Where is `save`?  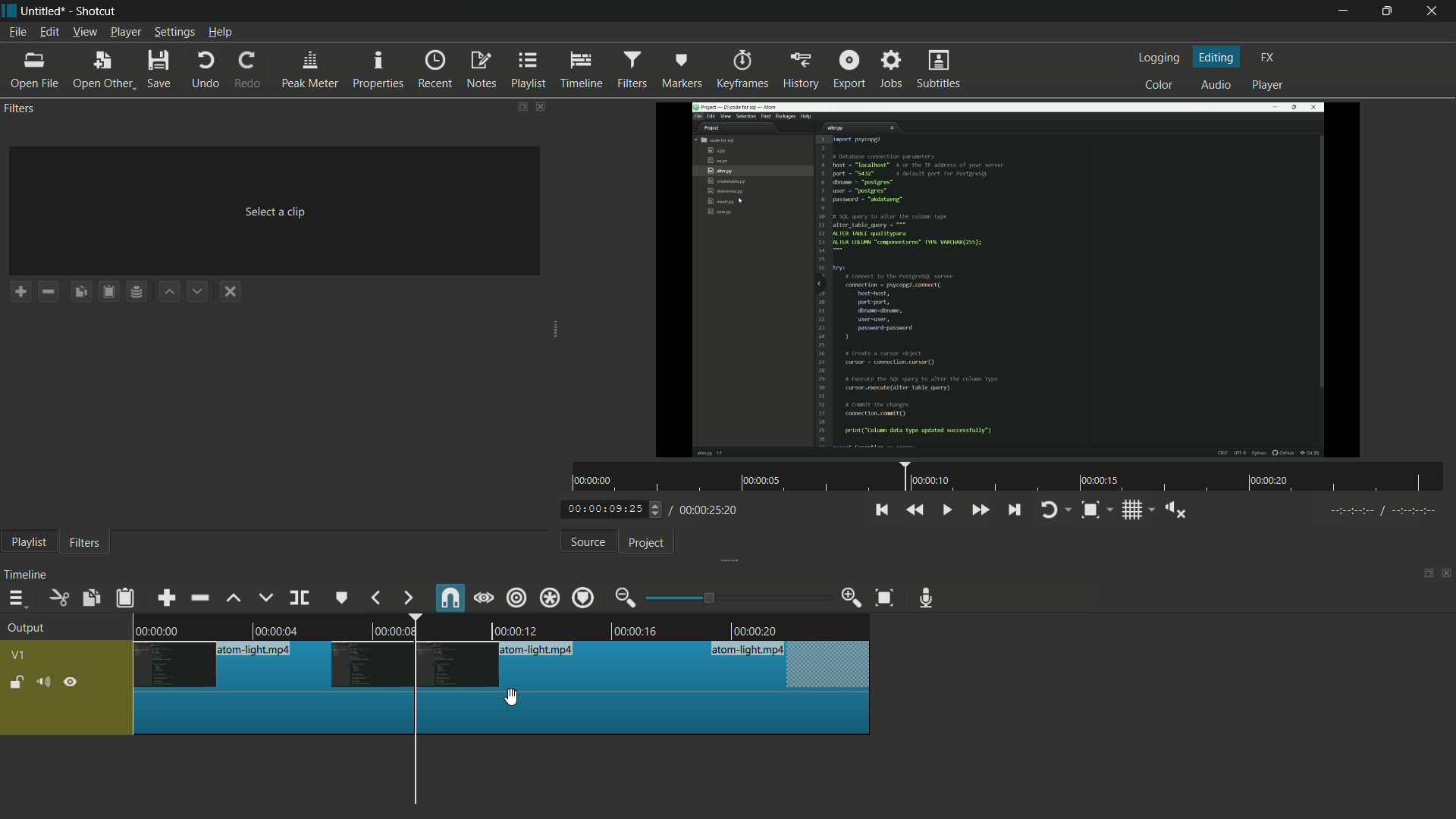
save is located at coordinates (160, 69).